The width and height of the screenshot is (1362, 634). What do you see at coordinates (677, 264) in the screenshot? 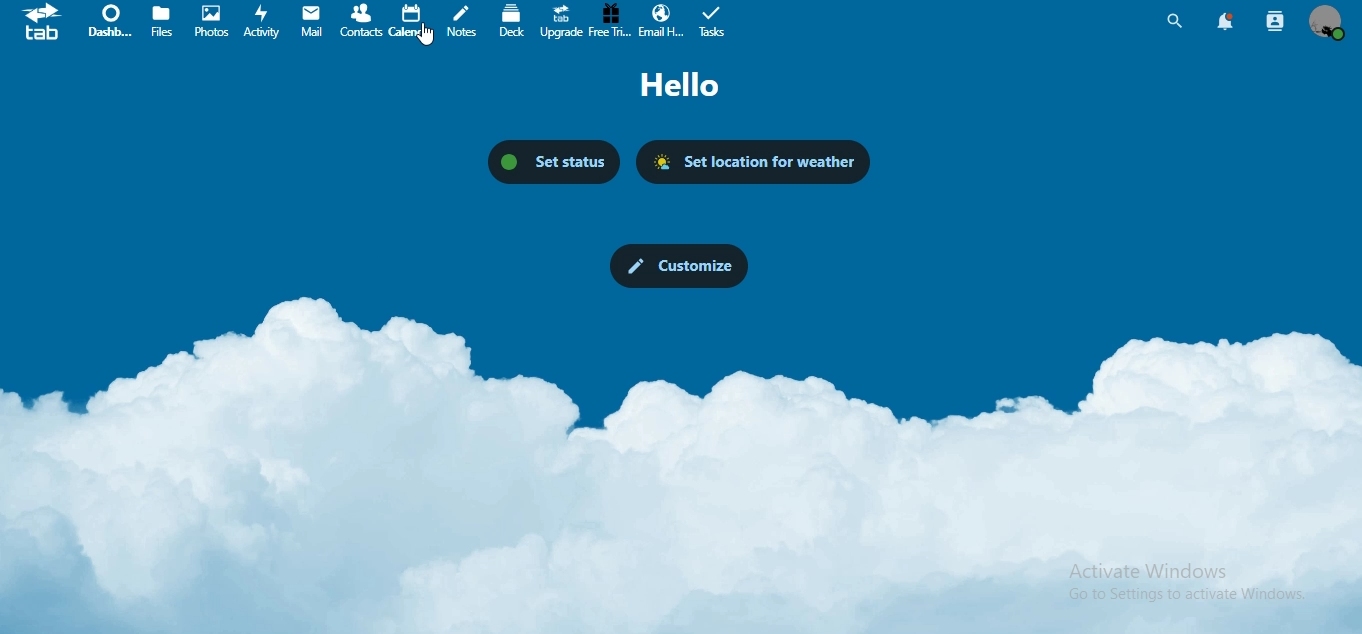
I see `customize` at bounding box center [677, 264].